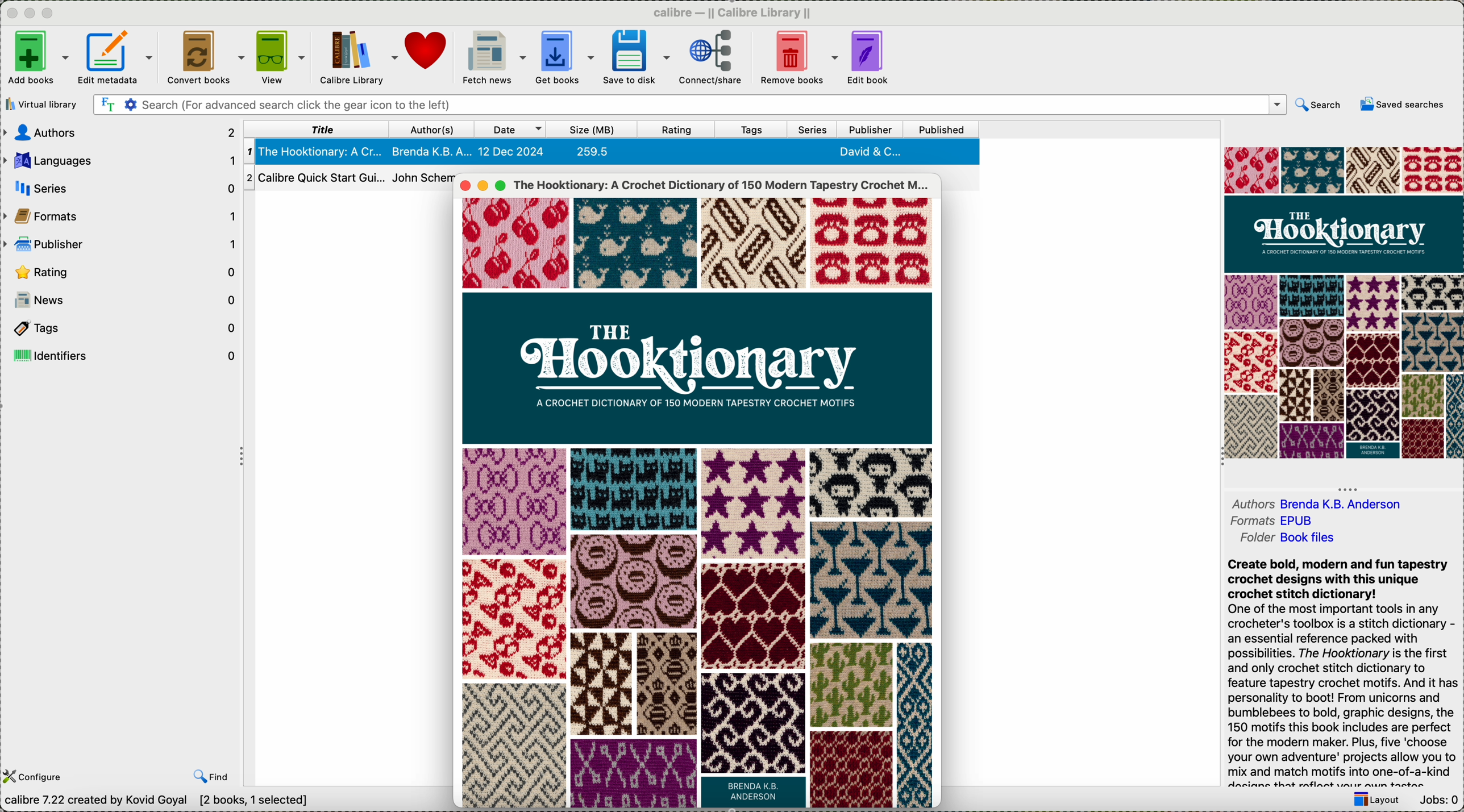  Describe the element at coordinates (795, 56) in the screenshot. I see `remove books` at that location.